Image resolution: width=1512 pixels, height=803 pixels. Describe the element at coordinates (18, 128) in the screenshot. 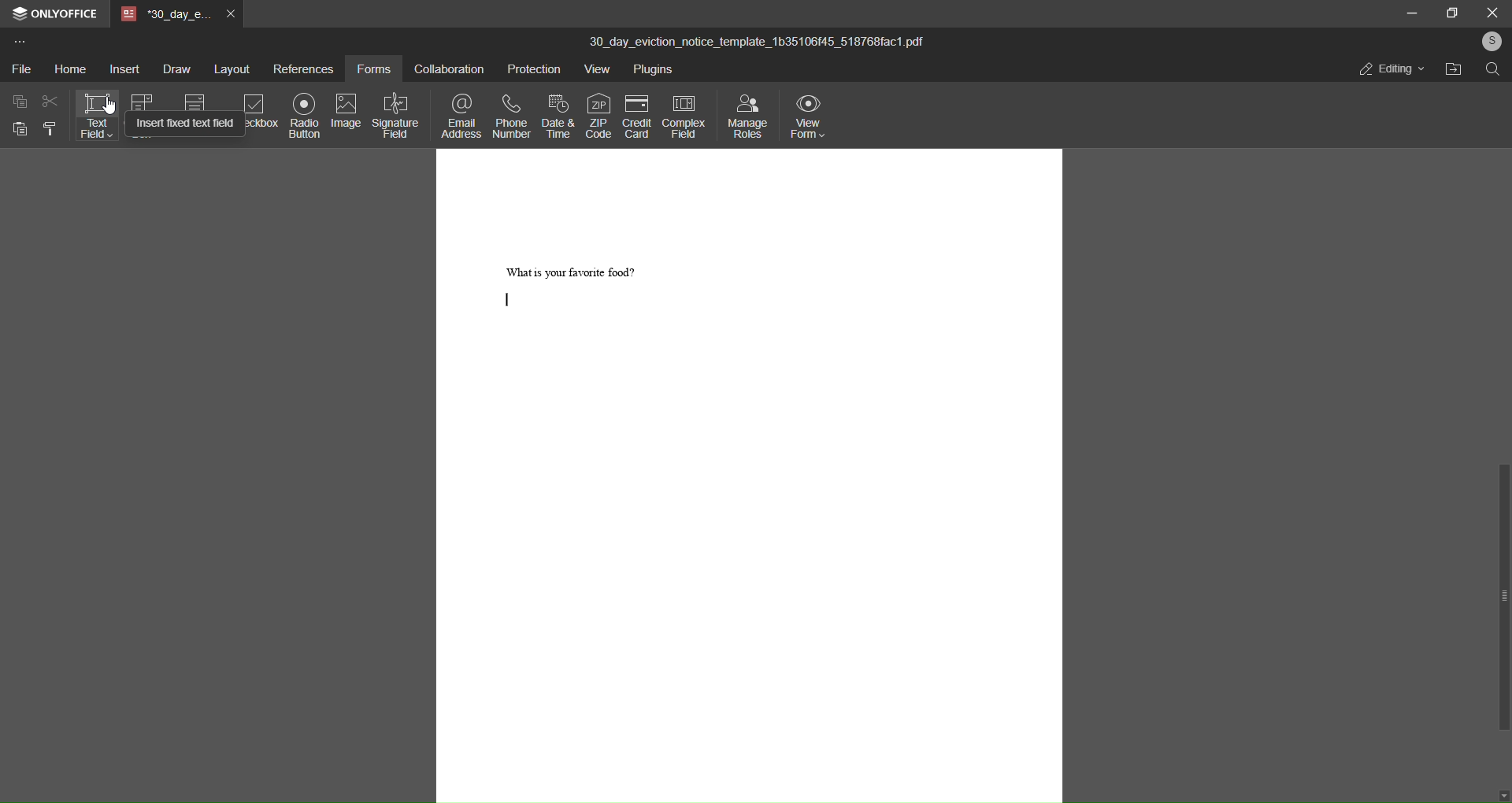

I see `paste` at that location.